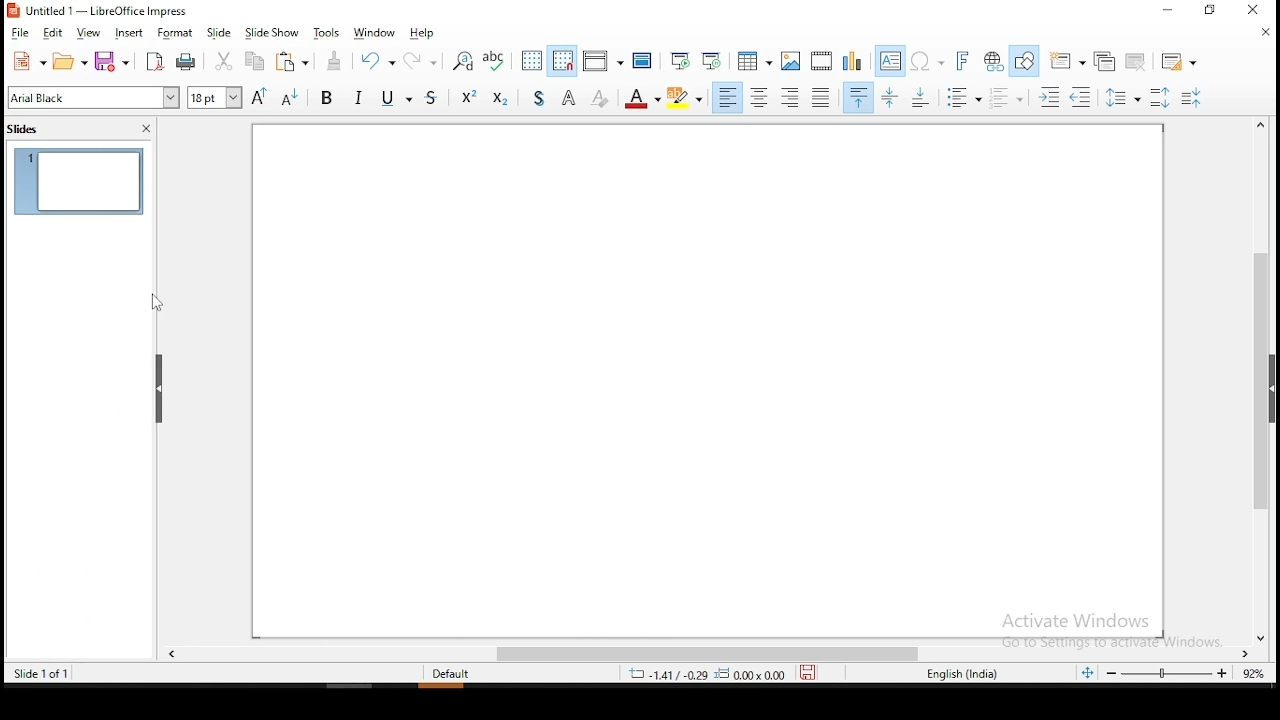  Describe the element at coordinates (821, 61) in the screenshot. I see `insert audio or video` at that location.